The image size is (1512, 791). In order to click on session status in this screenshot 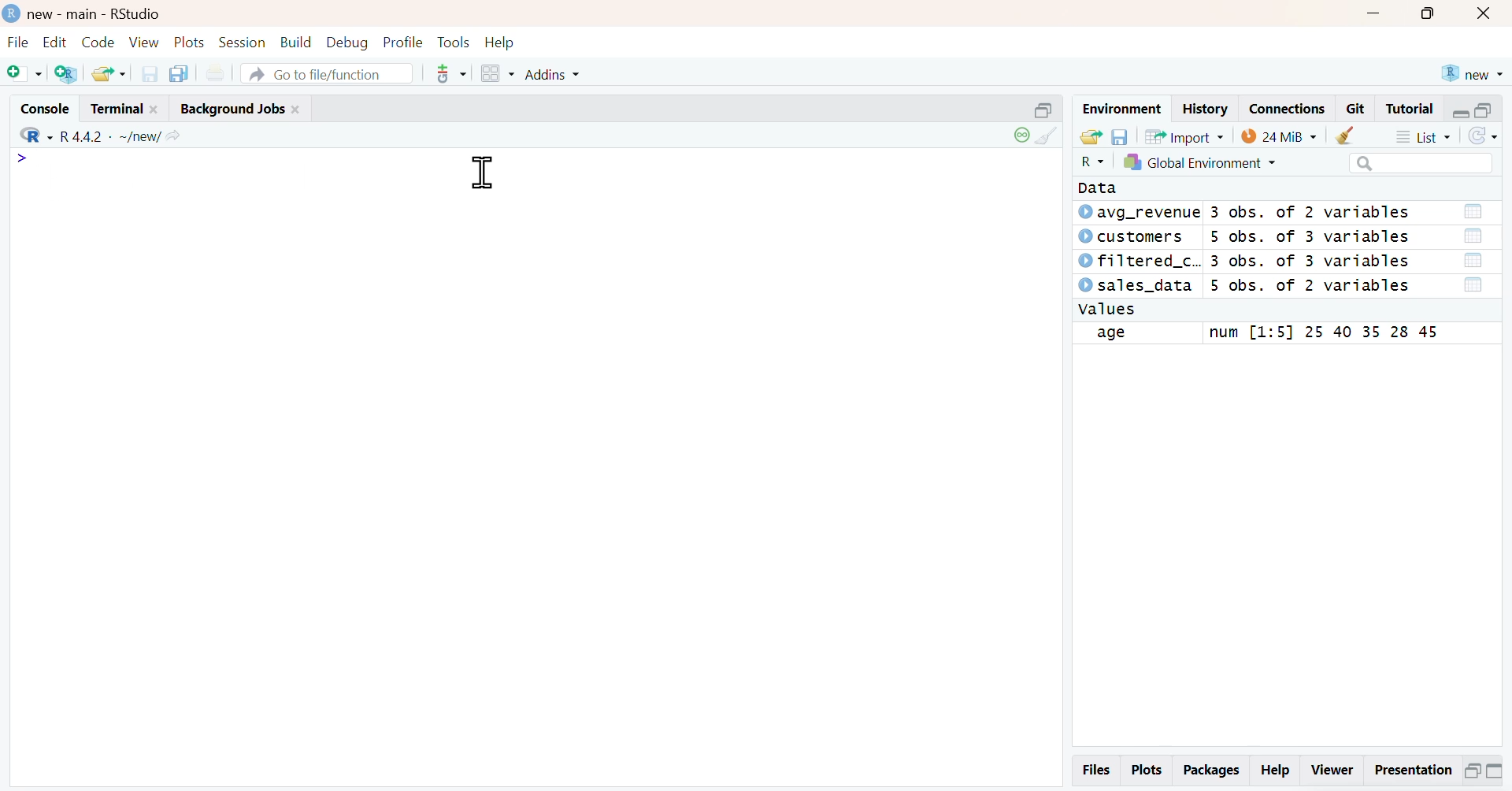, I will do `click(1020, 136)`.